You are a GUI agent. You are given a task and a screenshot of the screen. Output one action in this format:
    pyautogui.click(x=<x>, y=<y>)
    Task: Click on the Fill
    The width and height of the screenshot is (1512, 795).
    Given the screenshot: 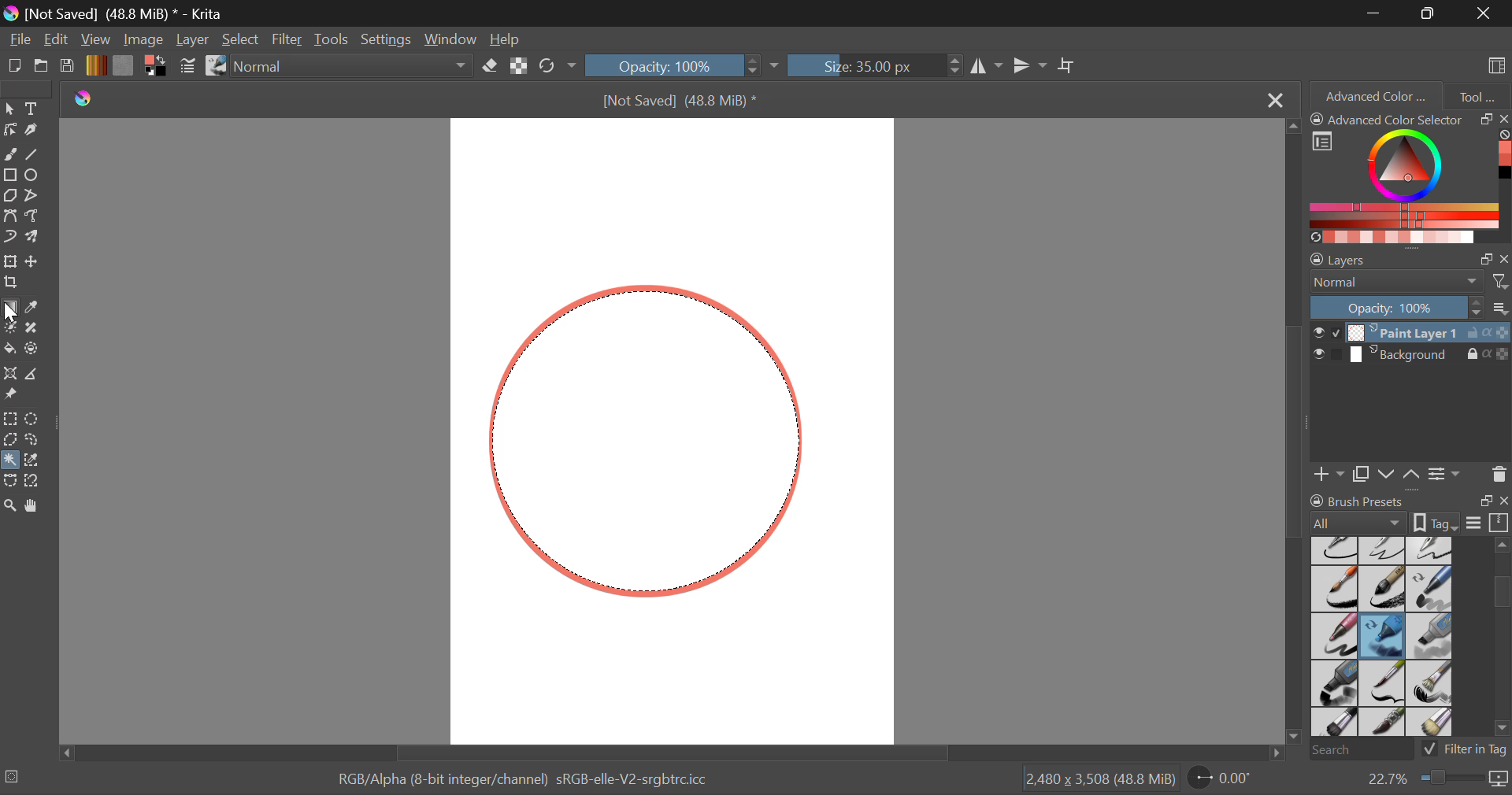 What is the action you would take?
    pyautogui.click(x=9, y=346)
    